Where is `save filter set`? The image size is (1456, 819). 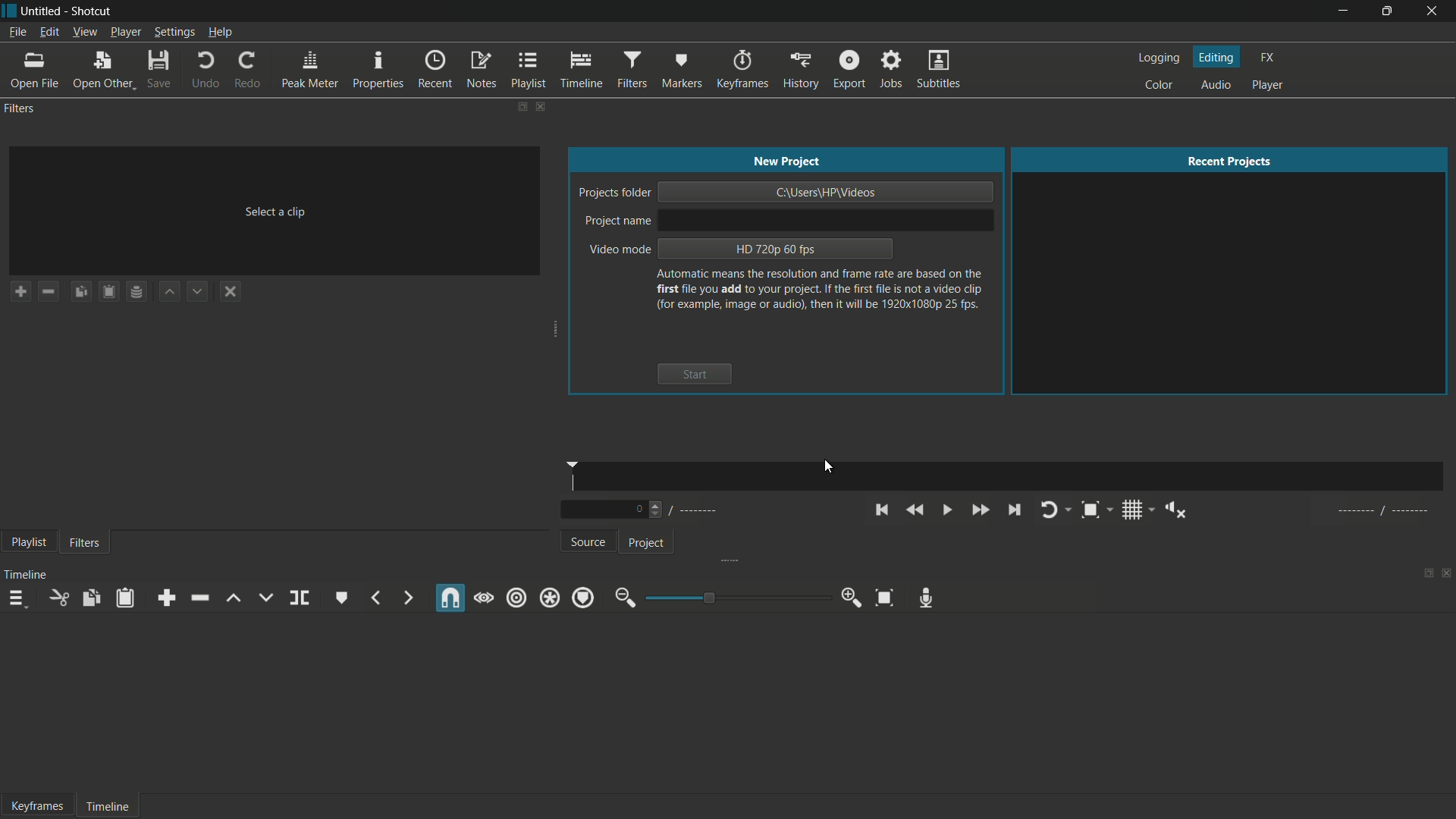
save filter set is located at coordinates (136, 292).